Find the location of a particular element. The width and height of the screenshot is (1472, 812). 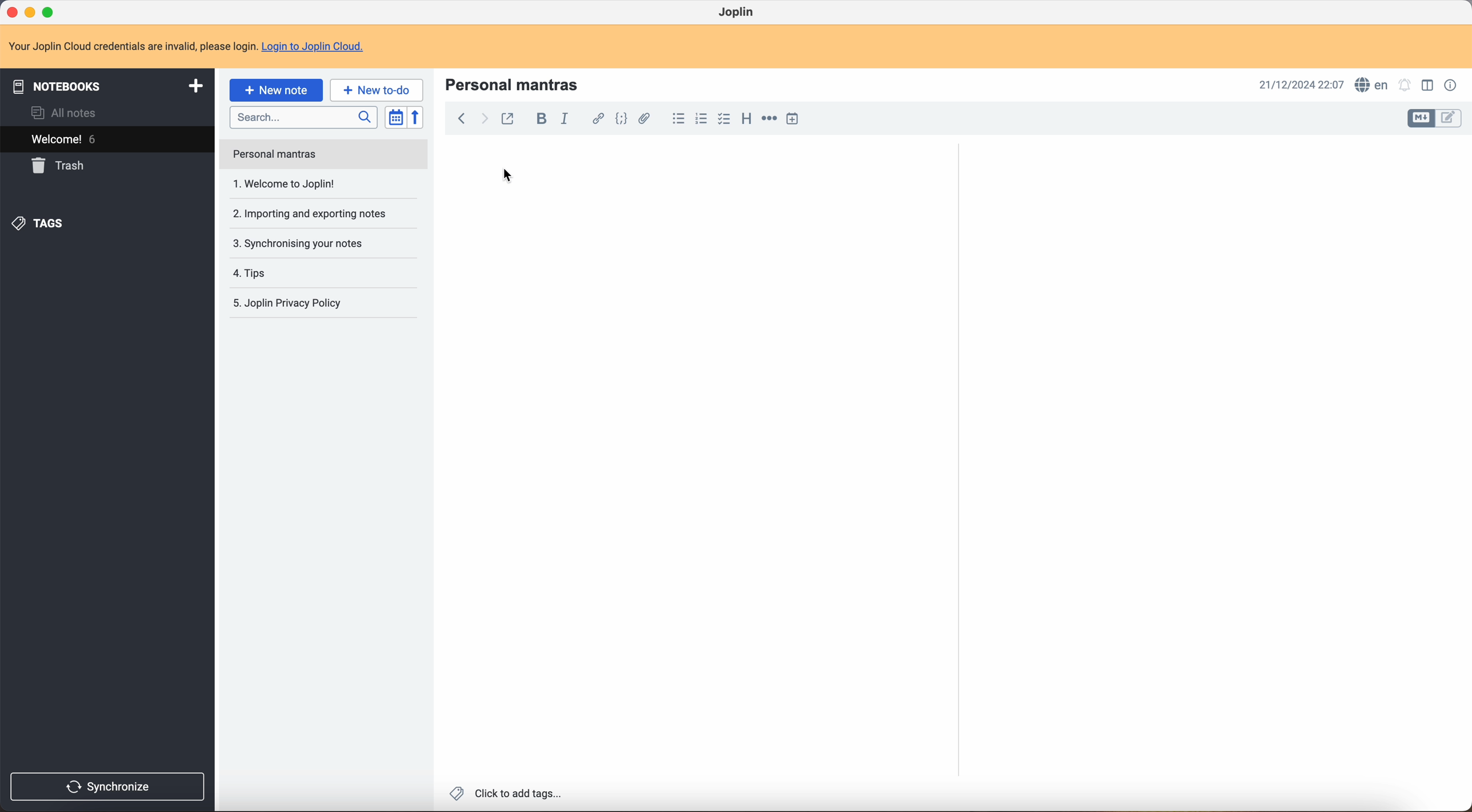

all notes is located at coordinates (62, 113).